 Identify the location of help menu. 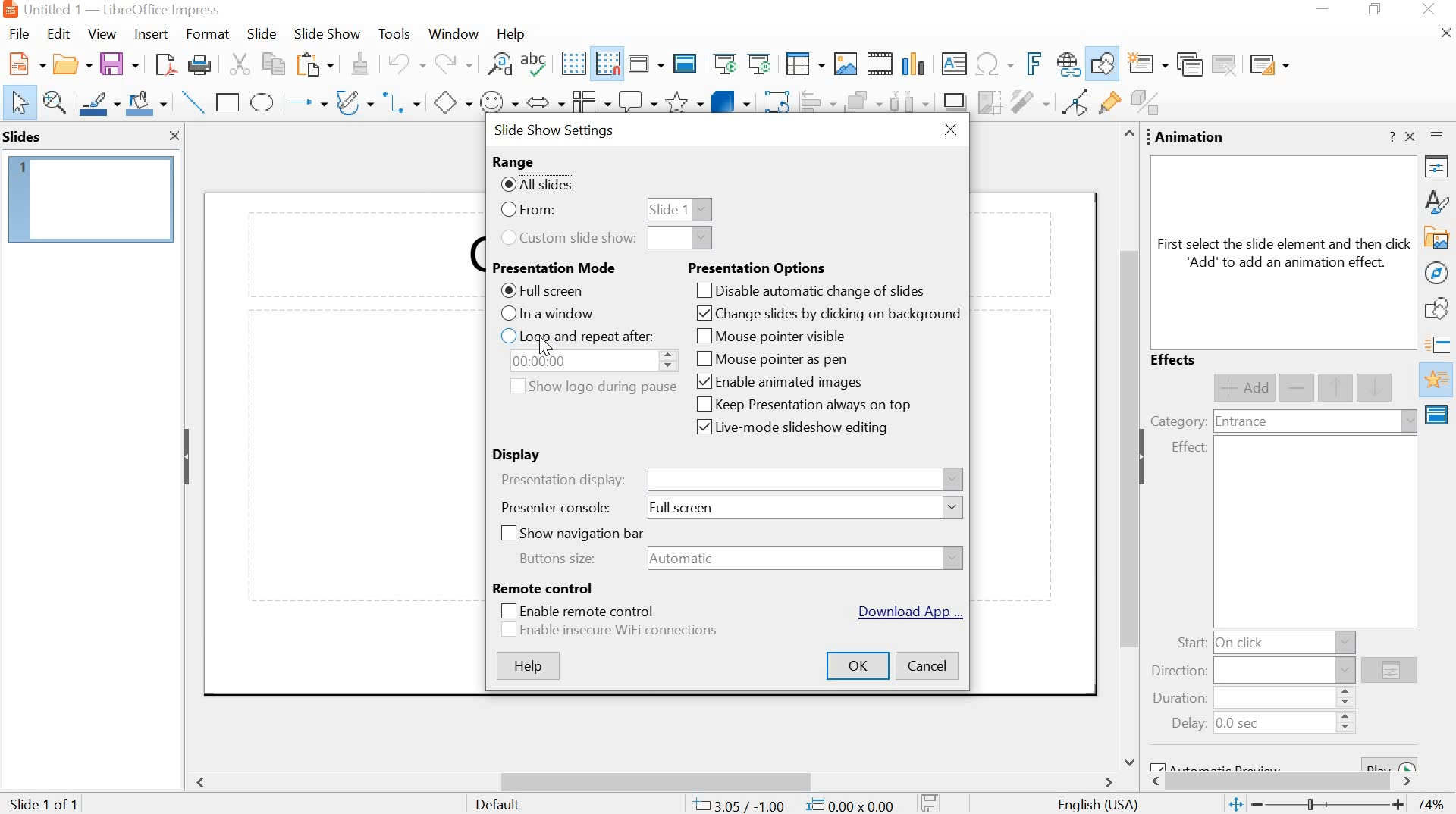
(510, 34).